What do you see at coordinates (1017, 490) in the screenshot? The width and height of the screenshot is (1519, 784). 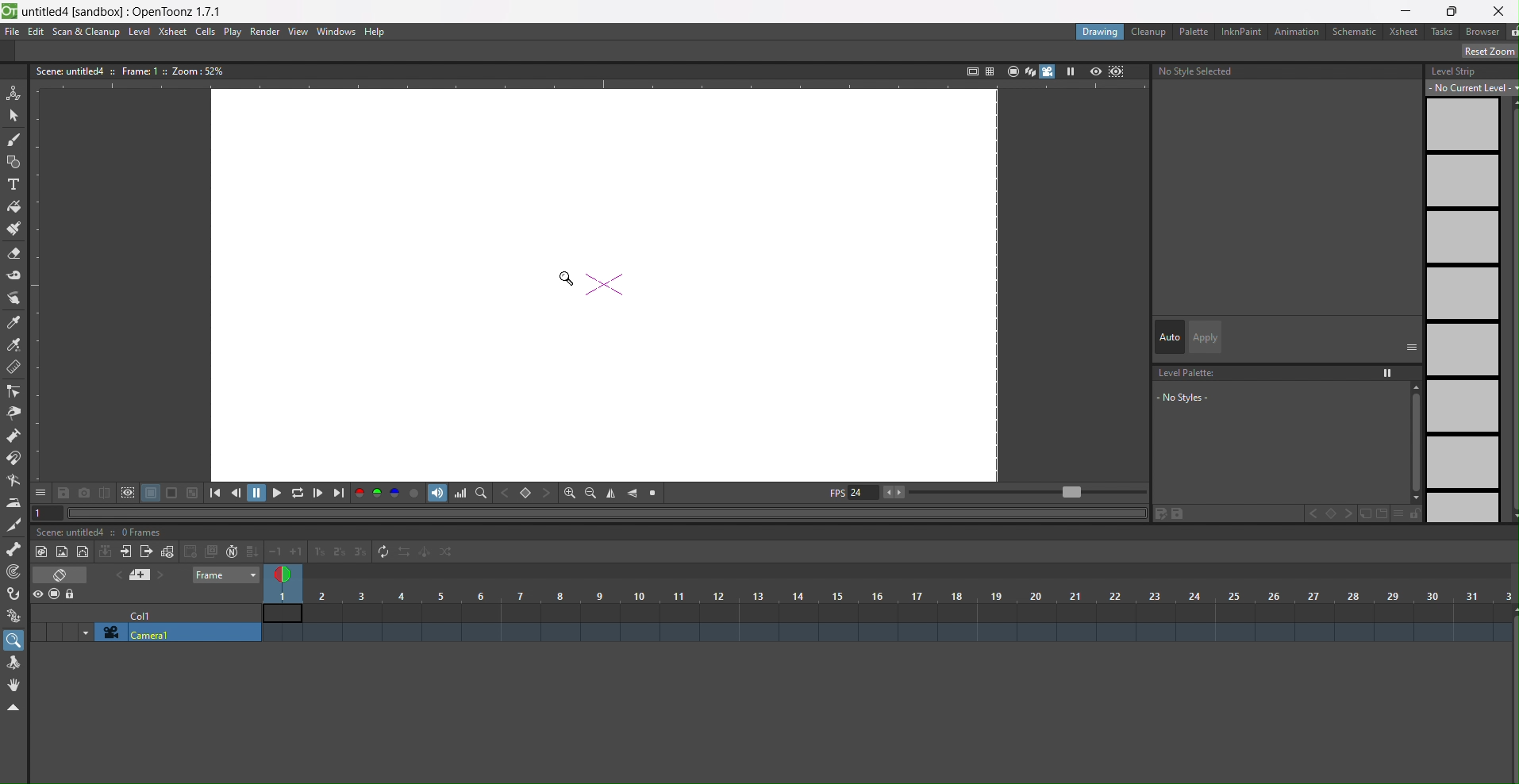 I see `playback range slider` at bounding box center [1017, 490].